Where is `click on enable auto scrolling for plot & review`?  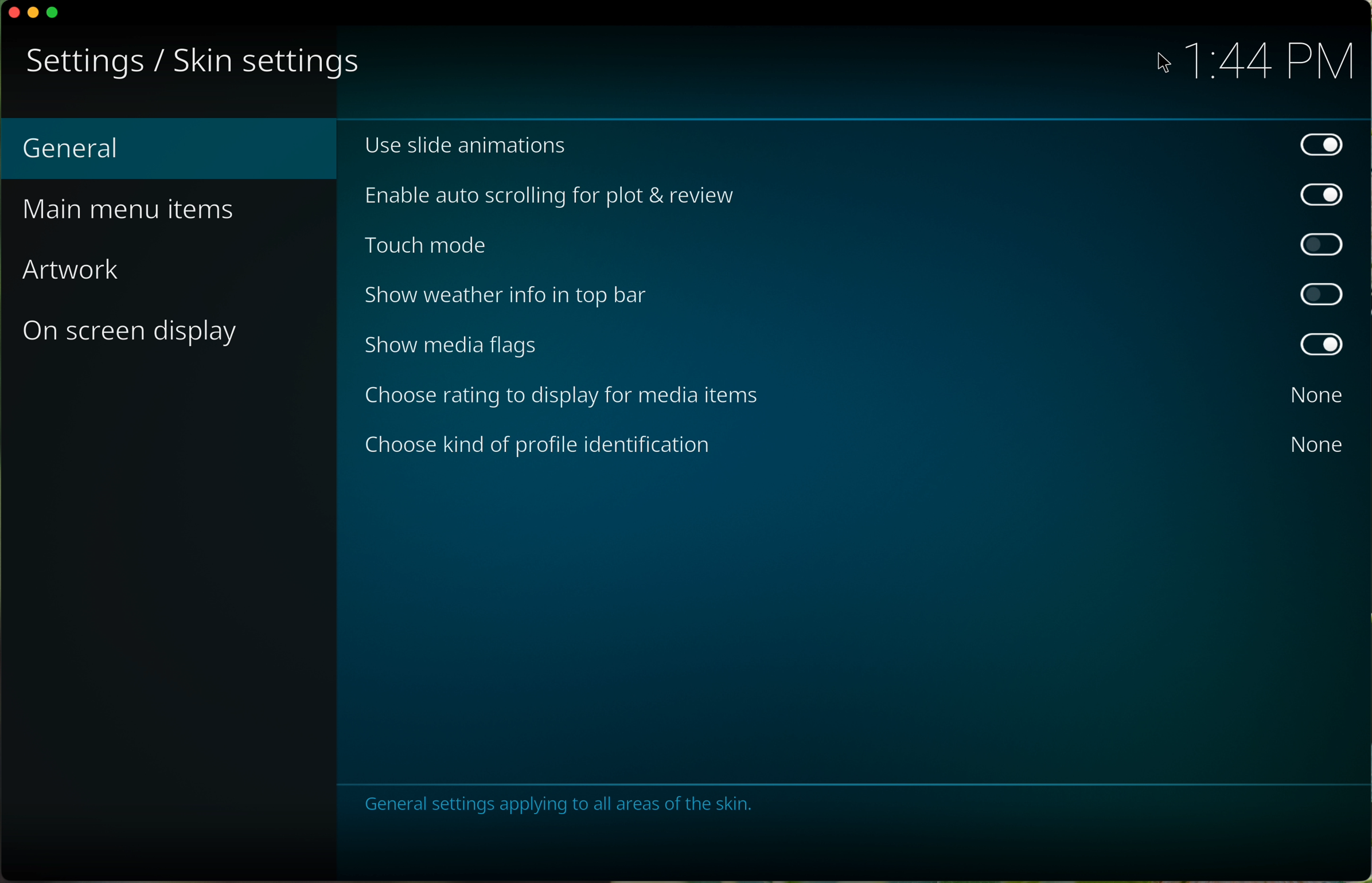 click on enable auto scrolling for plot & review is located at coordinates (856, 196).